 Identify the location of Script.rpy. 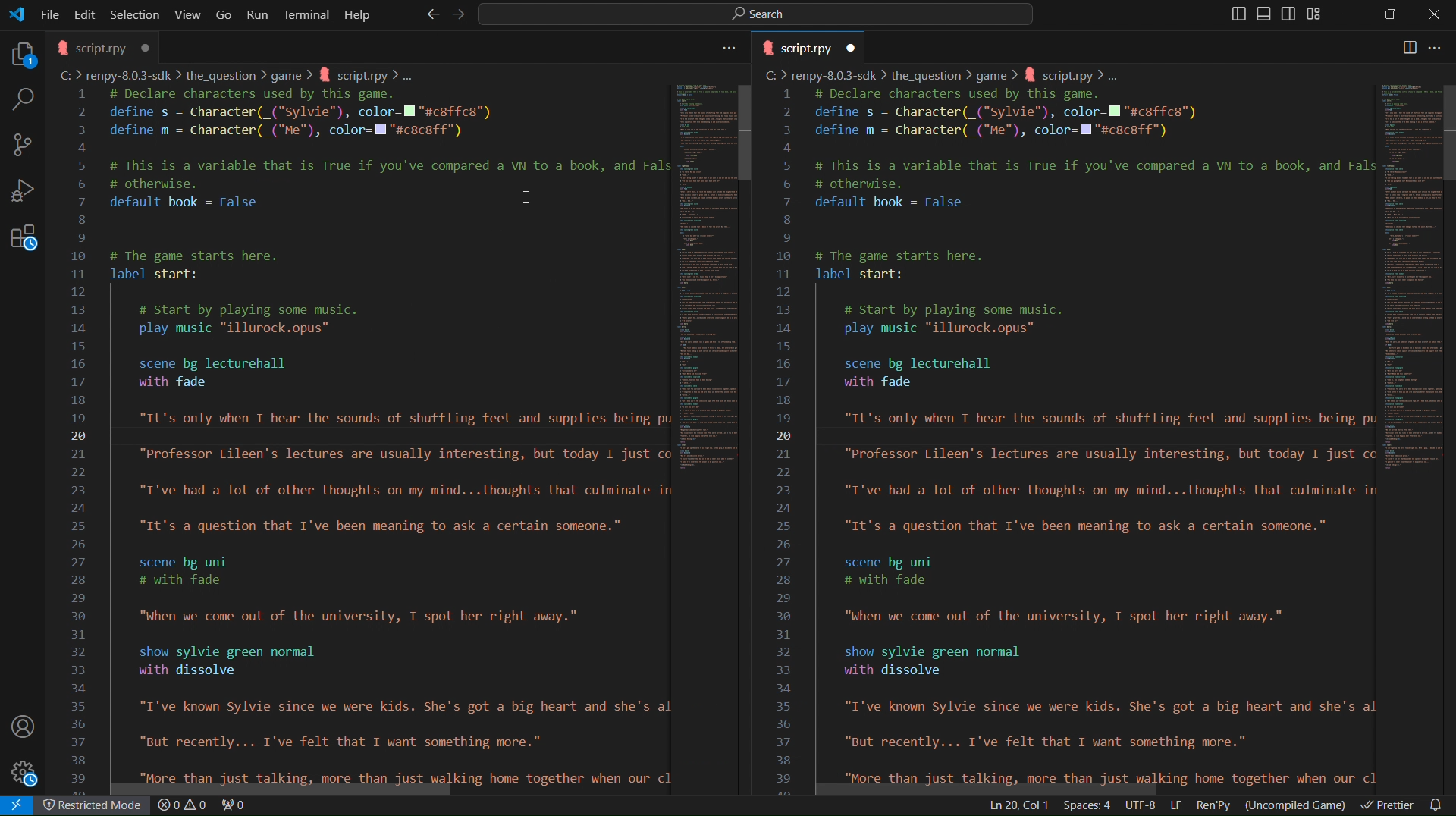
(104, 46).